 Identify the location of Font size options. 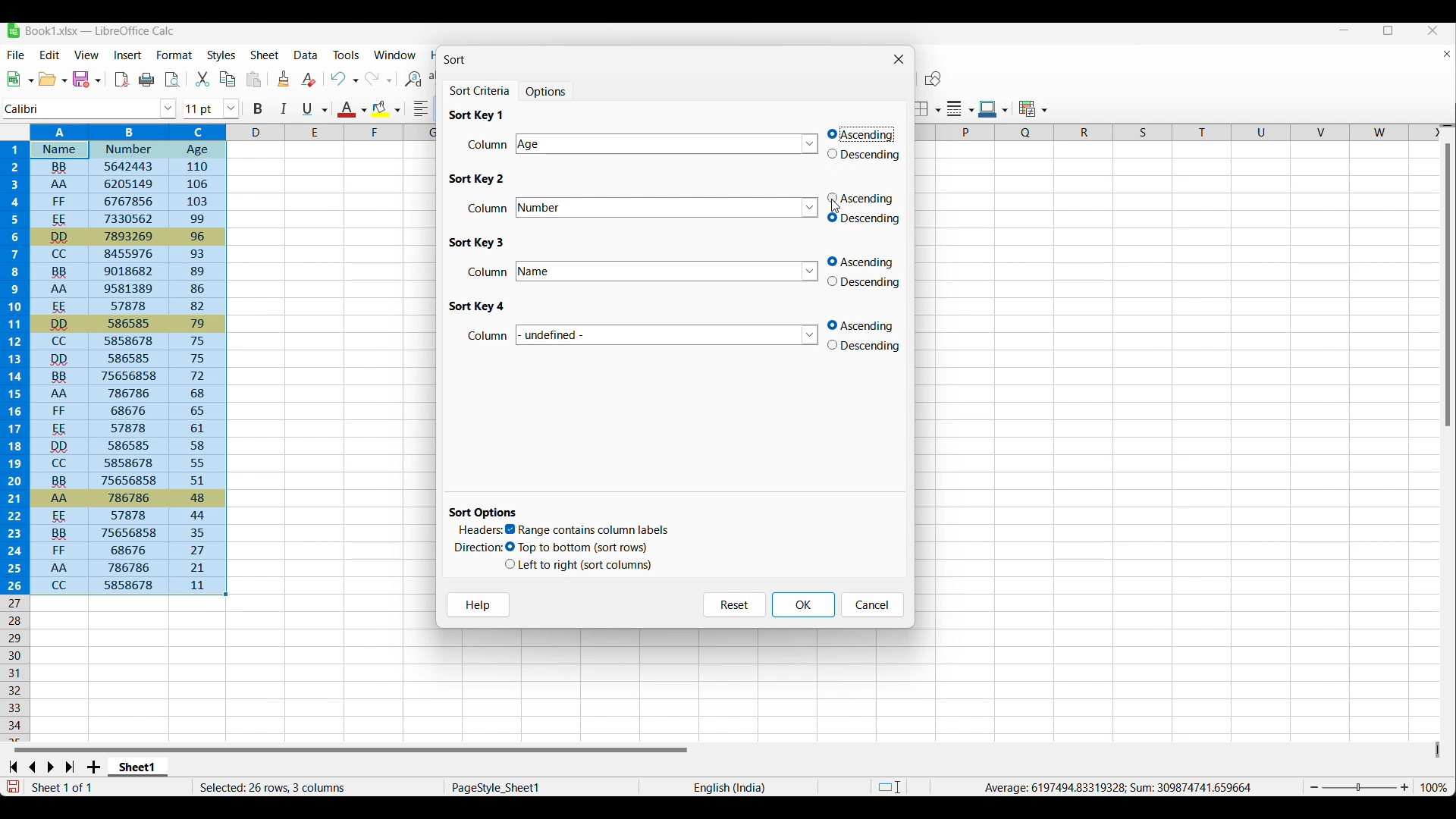
(231, 108).